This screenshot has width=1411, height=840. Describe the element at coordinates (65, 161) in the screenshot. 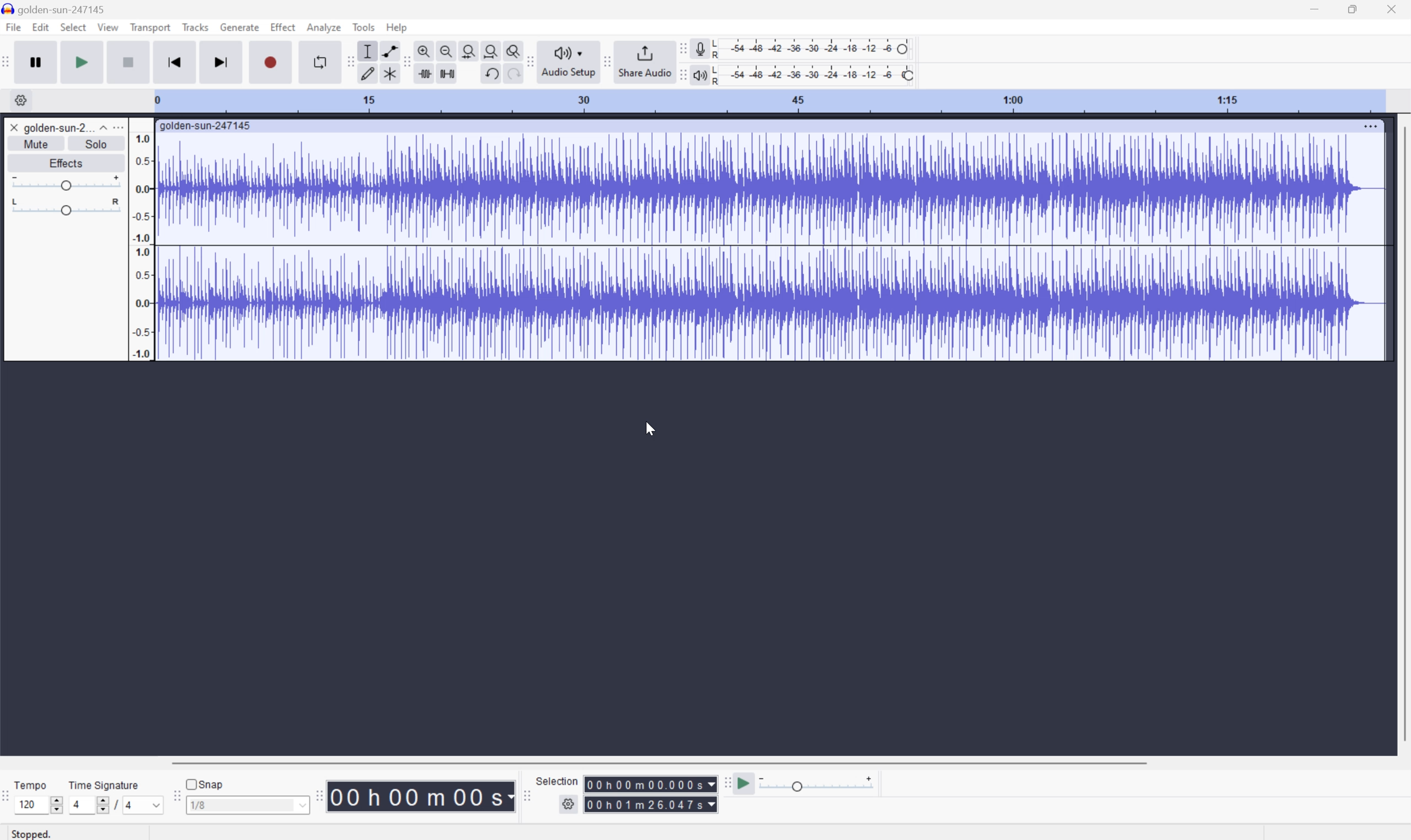

I see `Effects` at that location.